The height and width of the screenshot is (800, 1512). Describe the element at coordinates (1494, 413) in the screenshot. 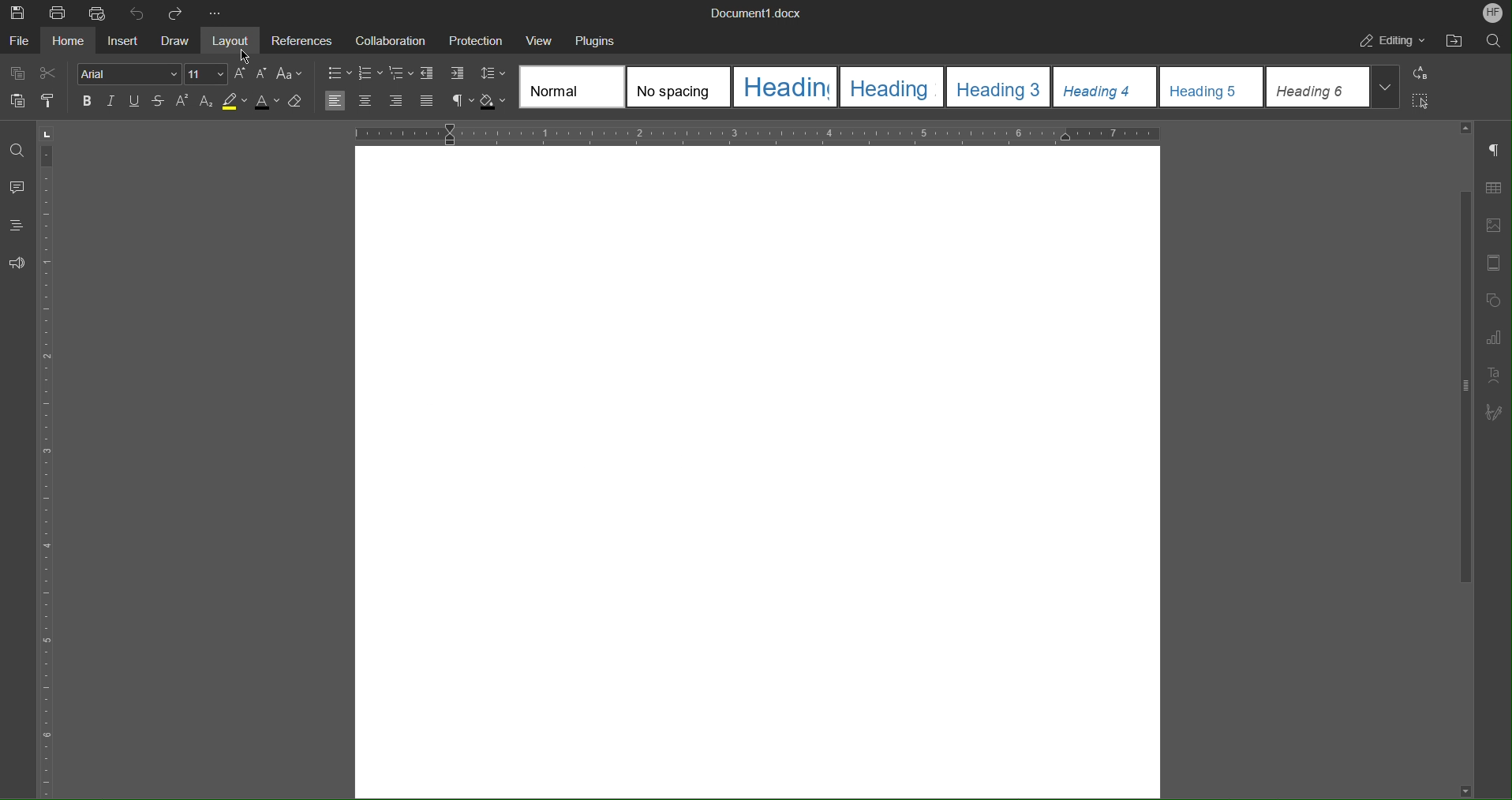

I see `Signature` at that location.